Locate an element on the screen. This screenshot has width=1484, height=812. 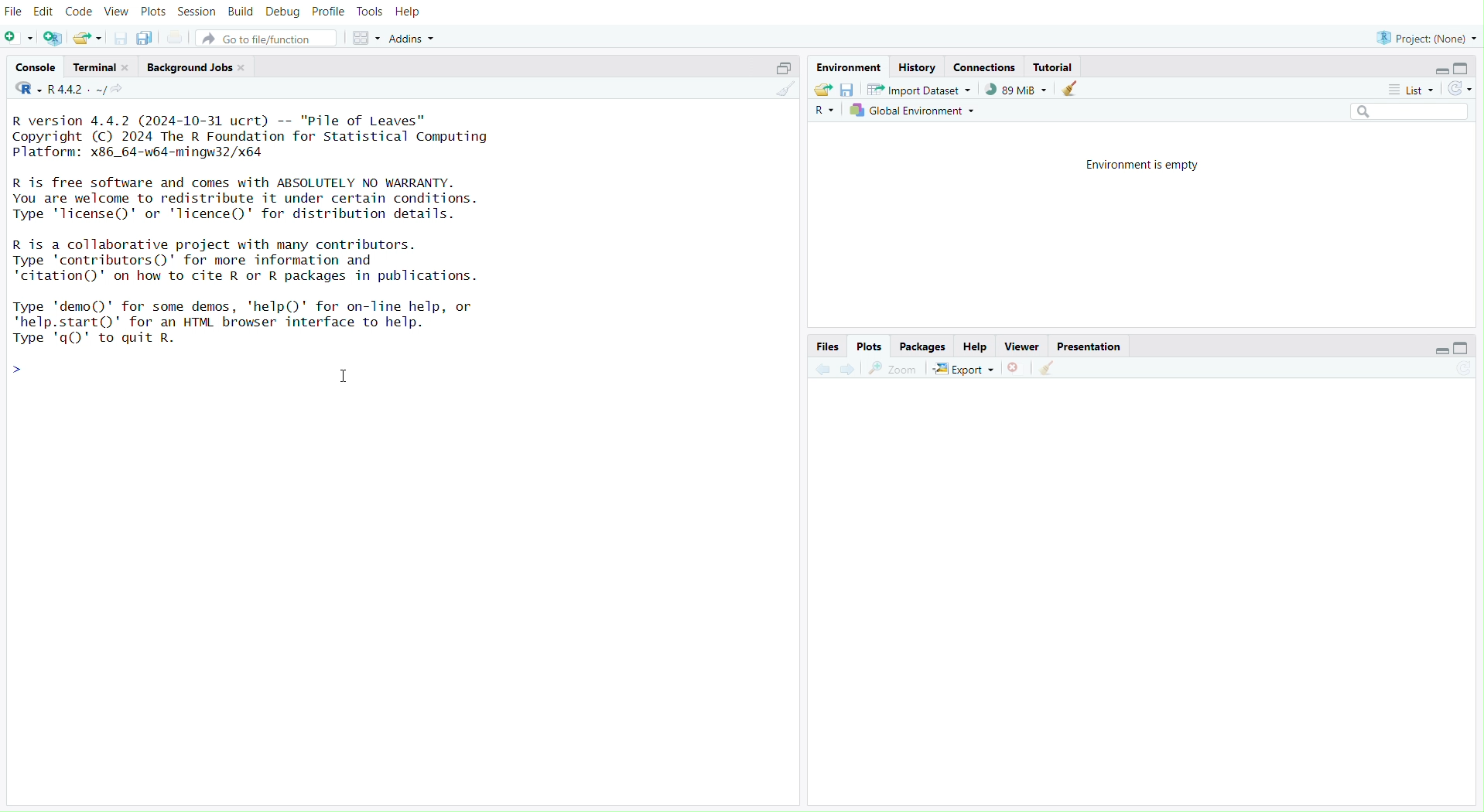
Terminal is located at coordinates (97, 69).